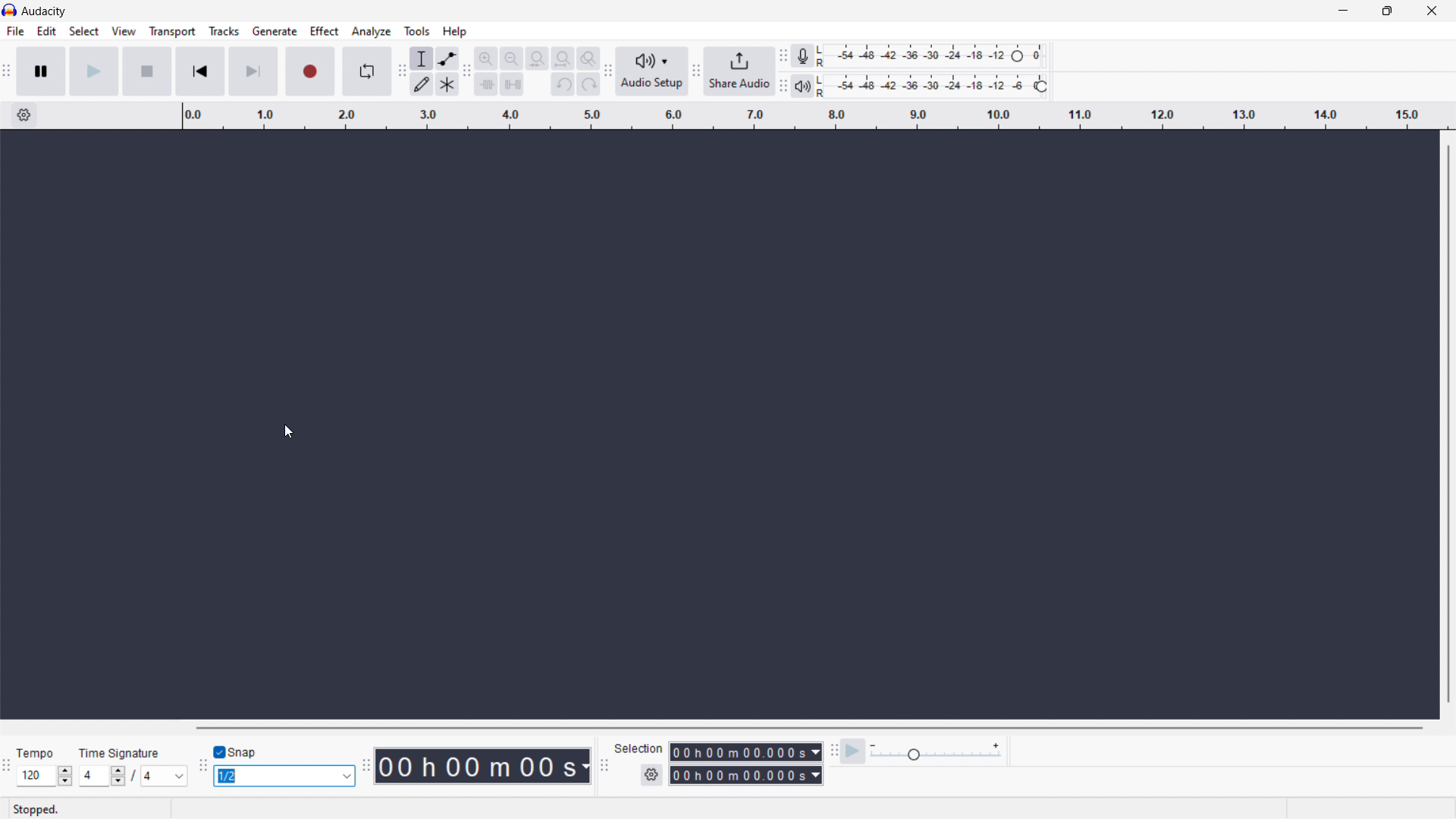 This screenshot has width=1456, height=819. What do you see at coordinates (934, 86) in the screenshot?
I see `playback meter` at bounding box center [934, 86].